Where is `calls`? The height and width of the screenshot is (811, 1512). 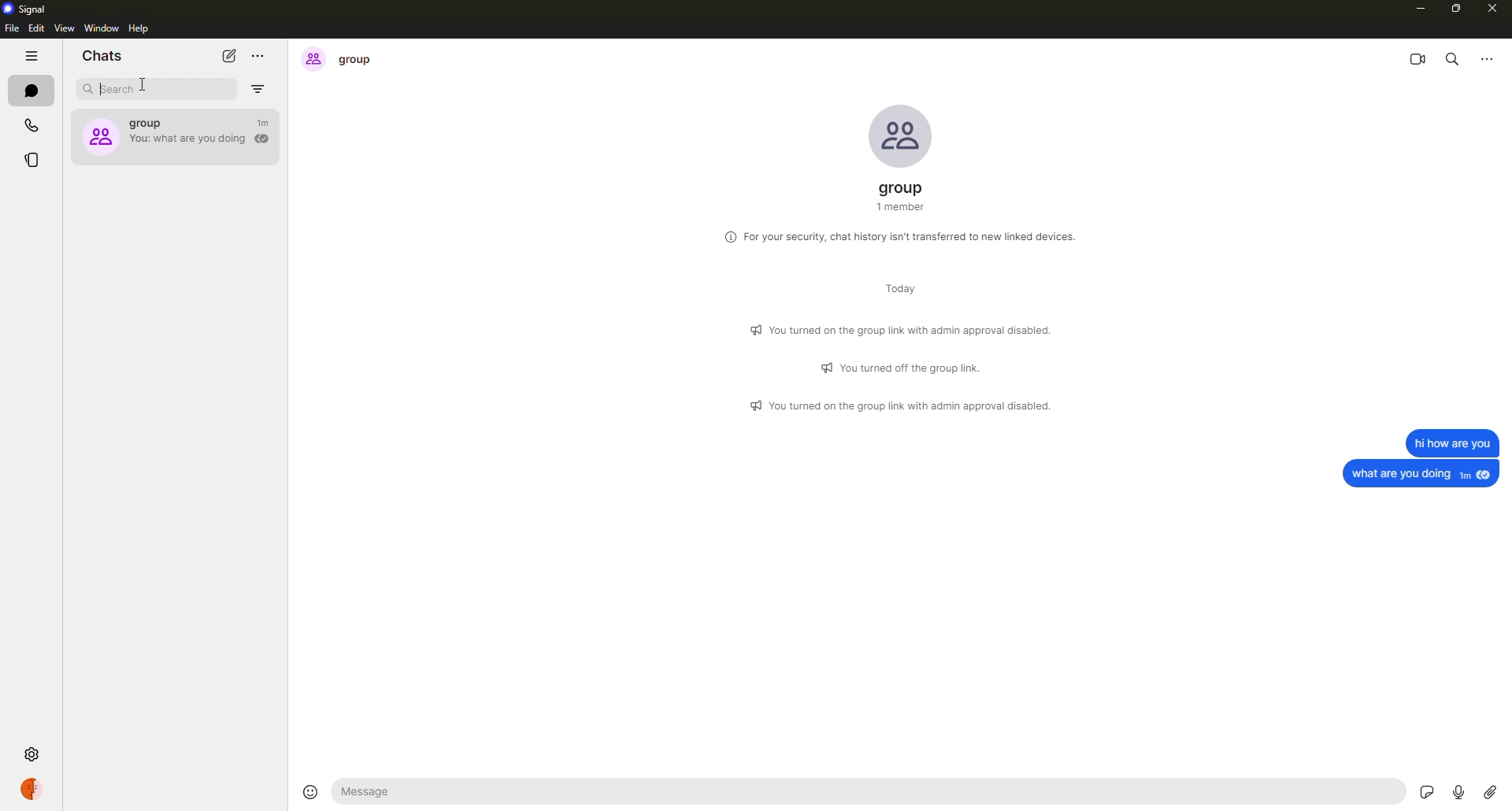
calls is located at coordinates (30, 124).